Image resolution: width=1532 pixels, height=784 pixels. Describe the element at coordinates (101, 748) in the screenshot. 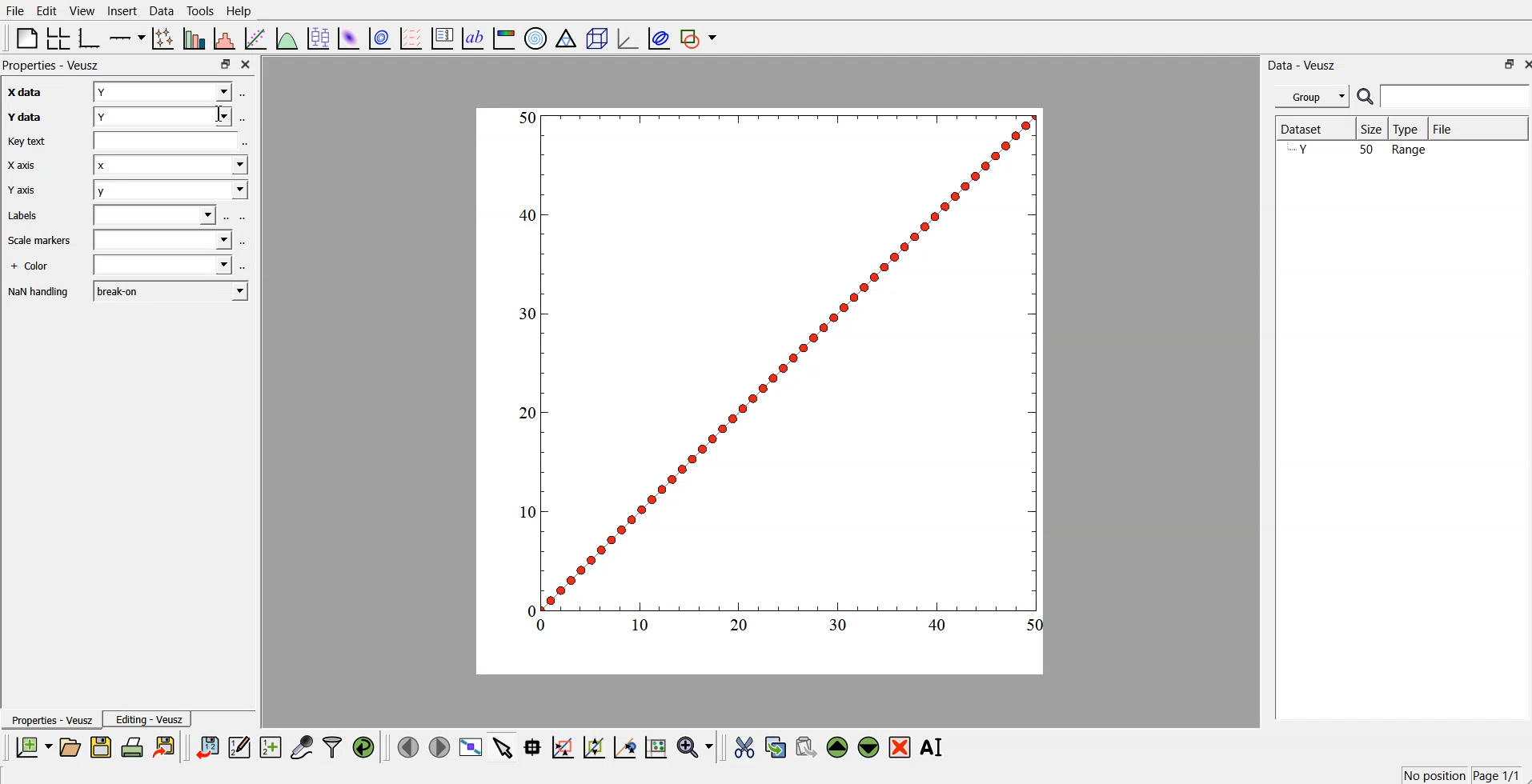

I see `save document` at that location.